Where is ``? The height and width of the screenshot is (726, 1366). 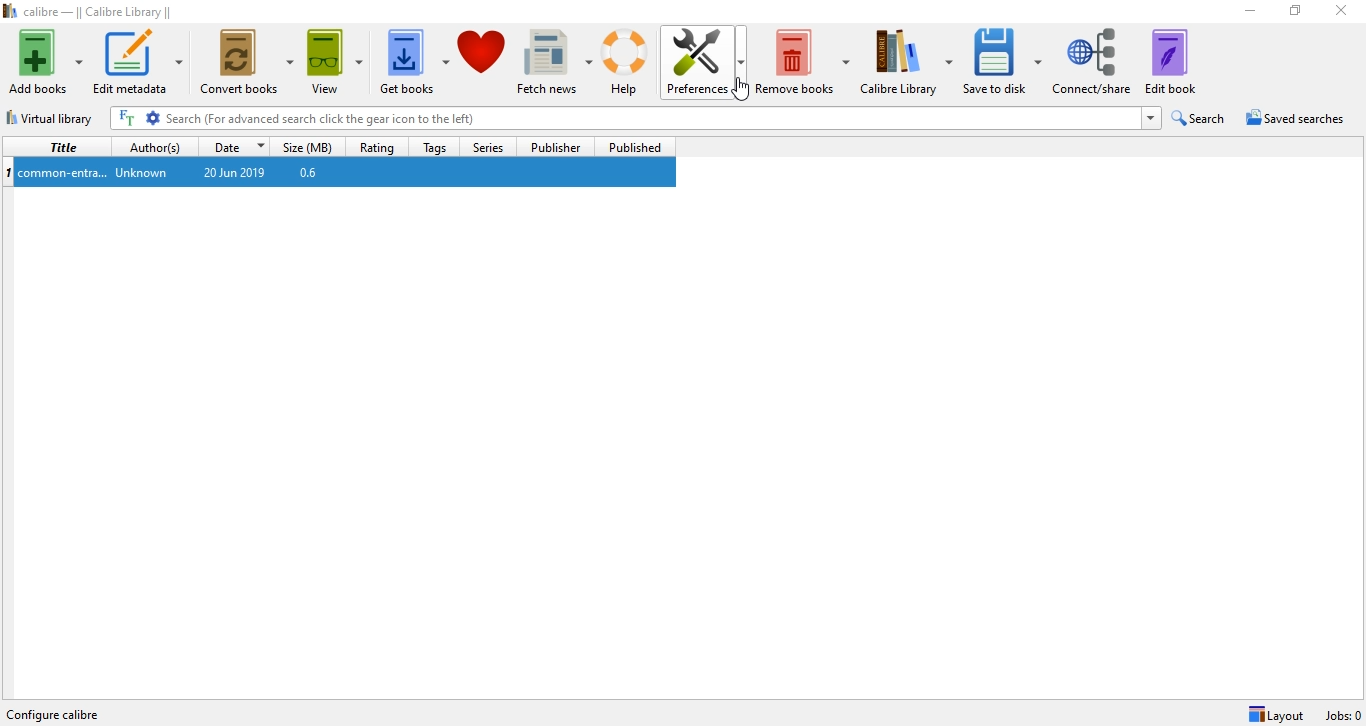
 is located at coordinates (907, 57).